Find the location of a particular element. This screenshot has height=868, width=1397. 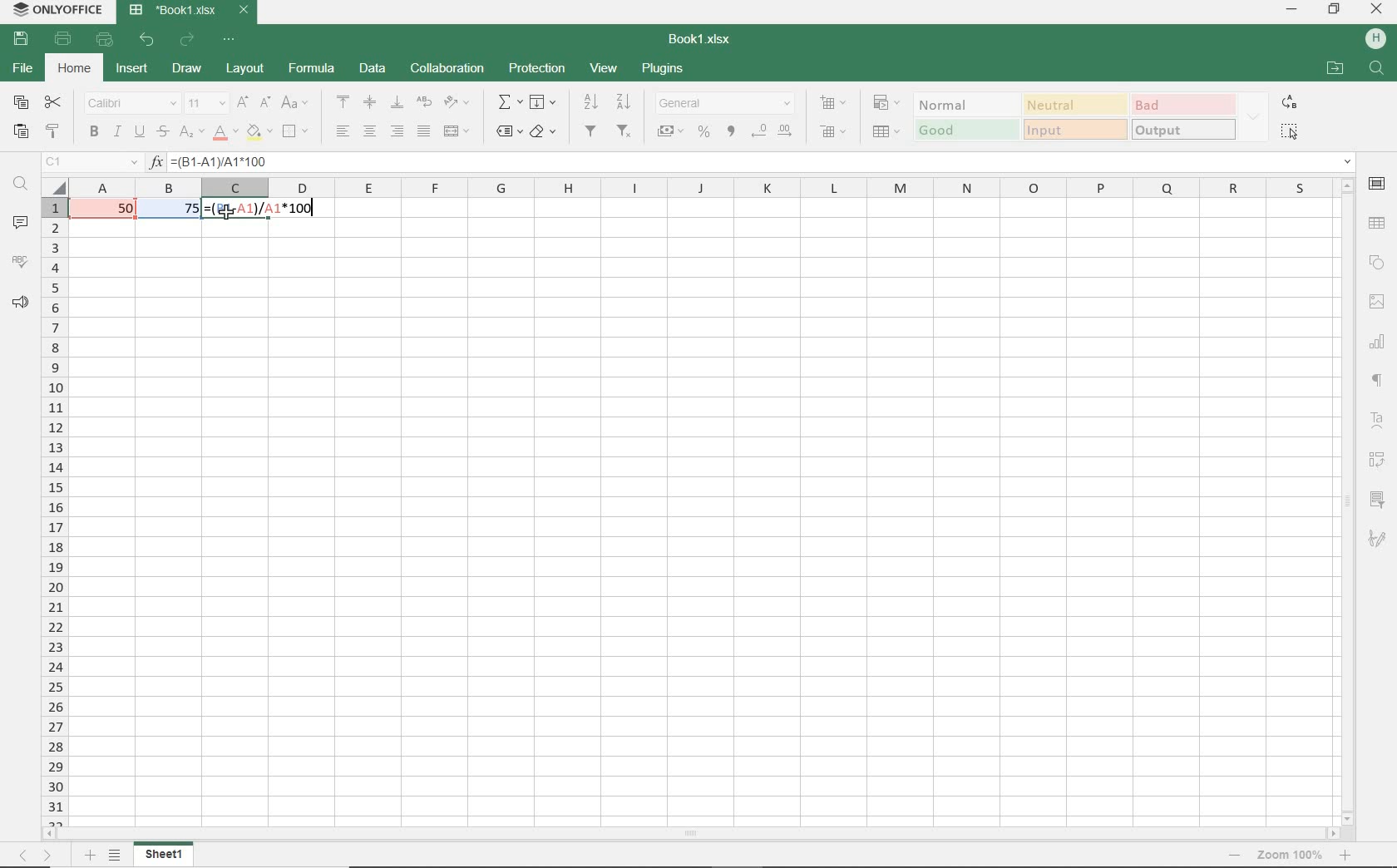

align center is located at coordinates (371, 133).